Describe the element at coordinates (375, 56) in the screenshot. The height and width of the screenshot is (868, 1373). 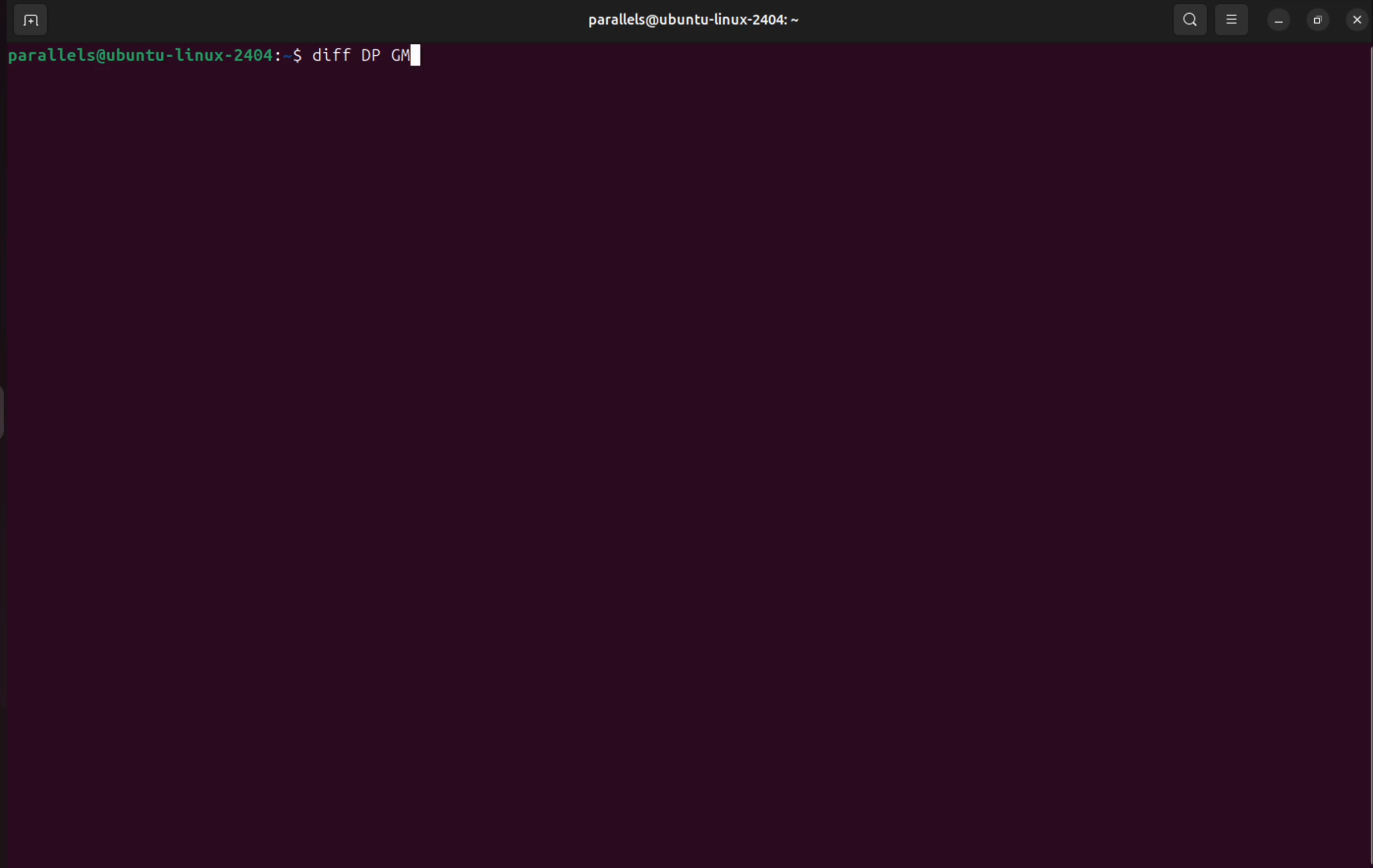
I see `diff file1 file 2` at that location.